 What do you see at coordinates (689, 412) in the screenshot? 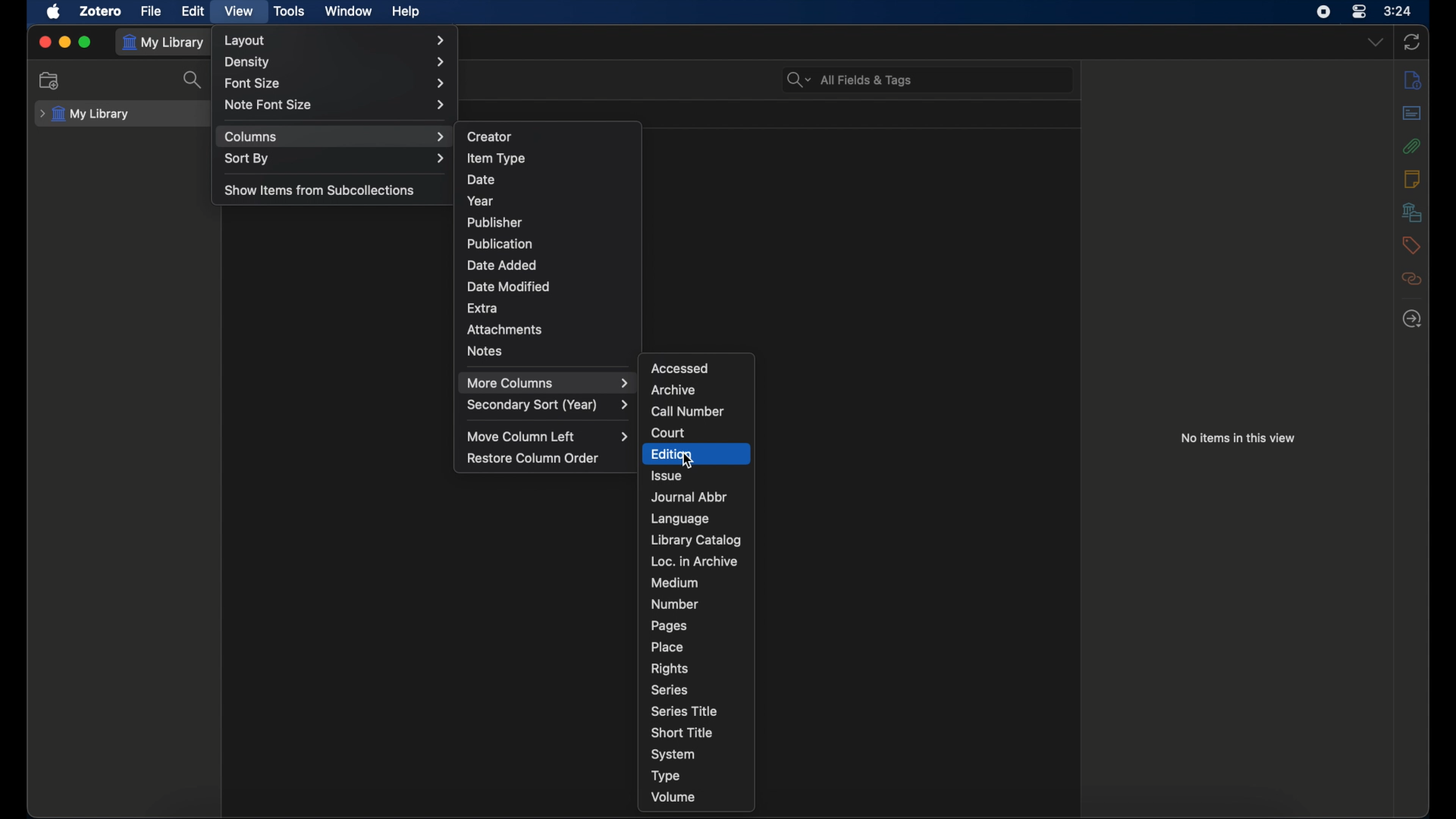
I see `call number` at bounding box center [689, 412].